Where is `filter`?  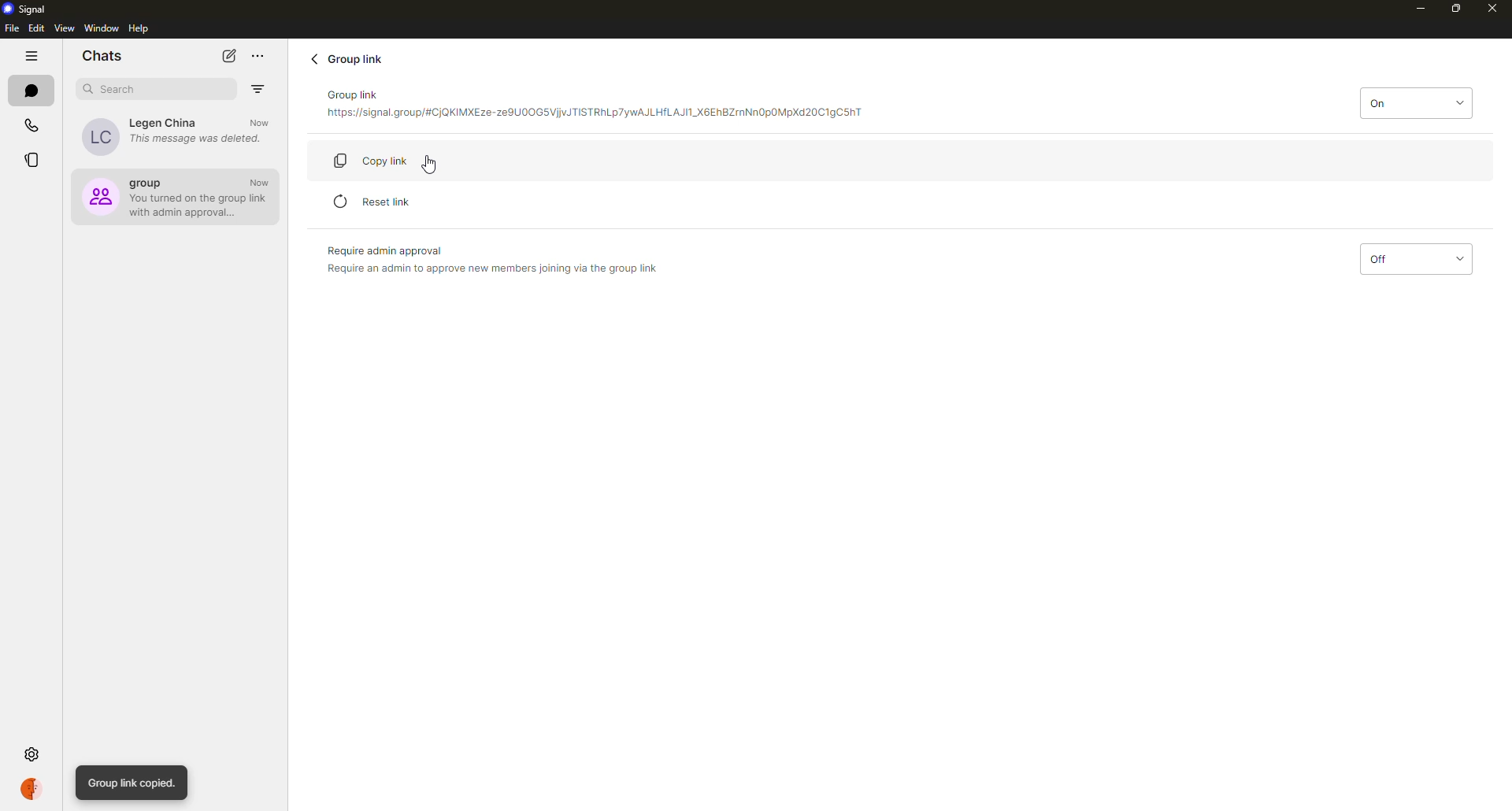
filter is located at coordinates (258, 89).